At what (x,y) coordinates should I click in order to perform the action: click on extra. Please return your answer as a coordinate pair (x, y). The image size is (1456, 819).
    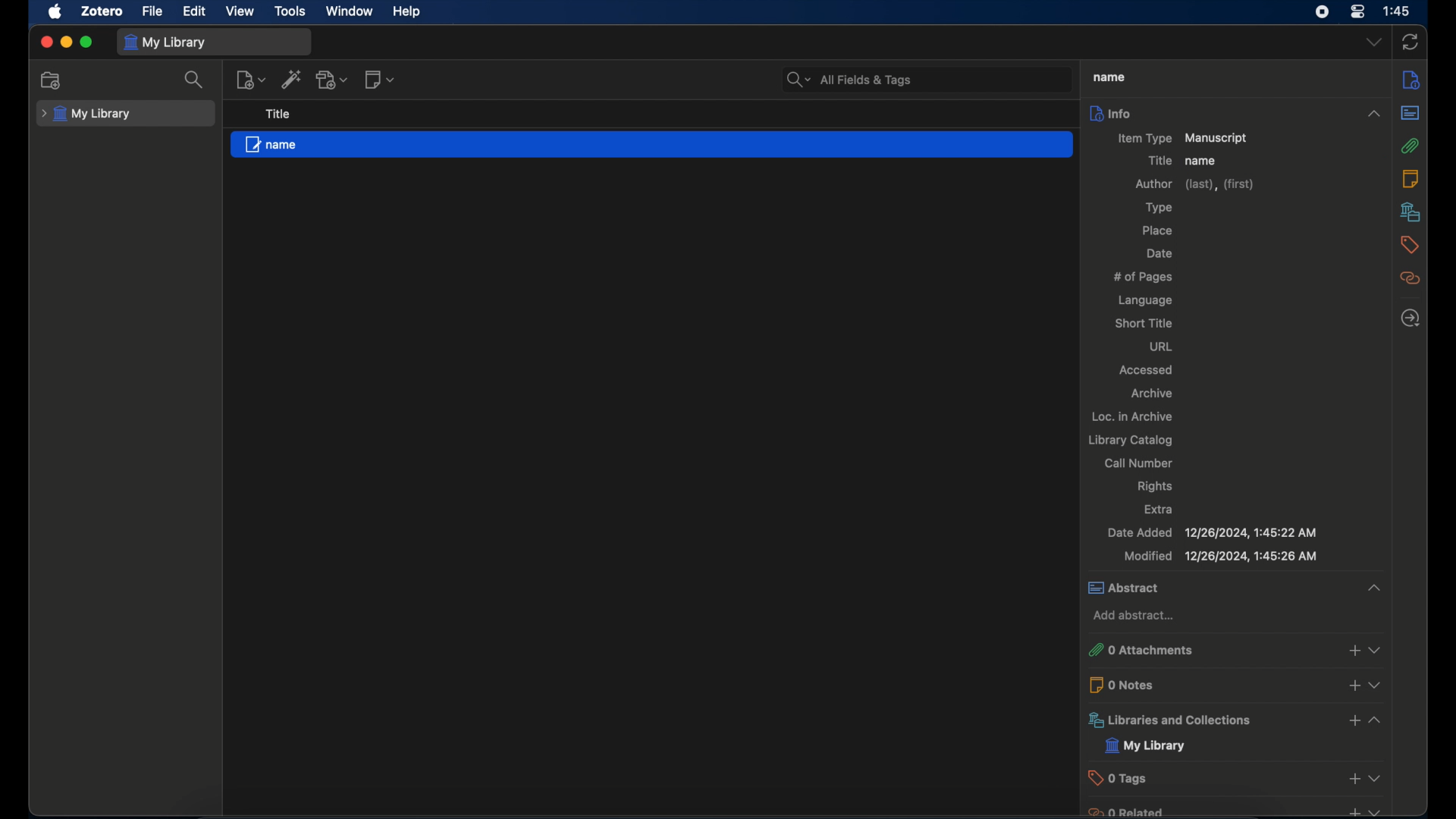
    Looking at the image, I should click on (1160, 509).